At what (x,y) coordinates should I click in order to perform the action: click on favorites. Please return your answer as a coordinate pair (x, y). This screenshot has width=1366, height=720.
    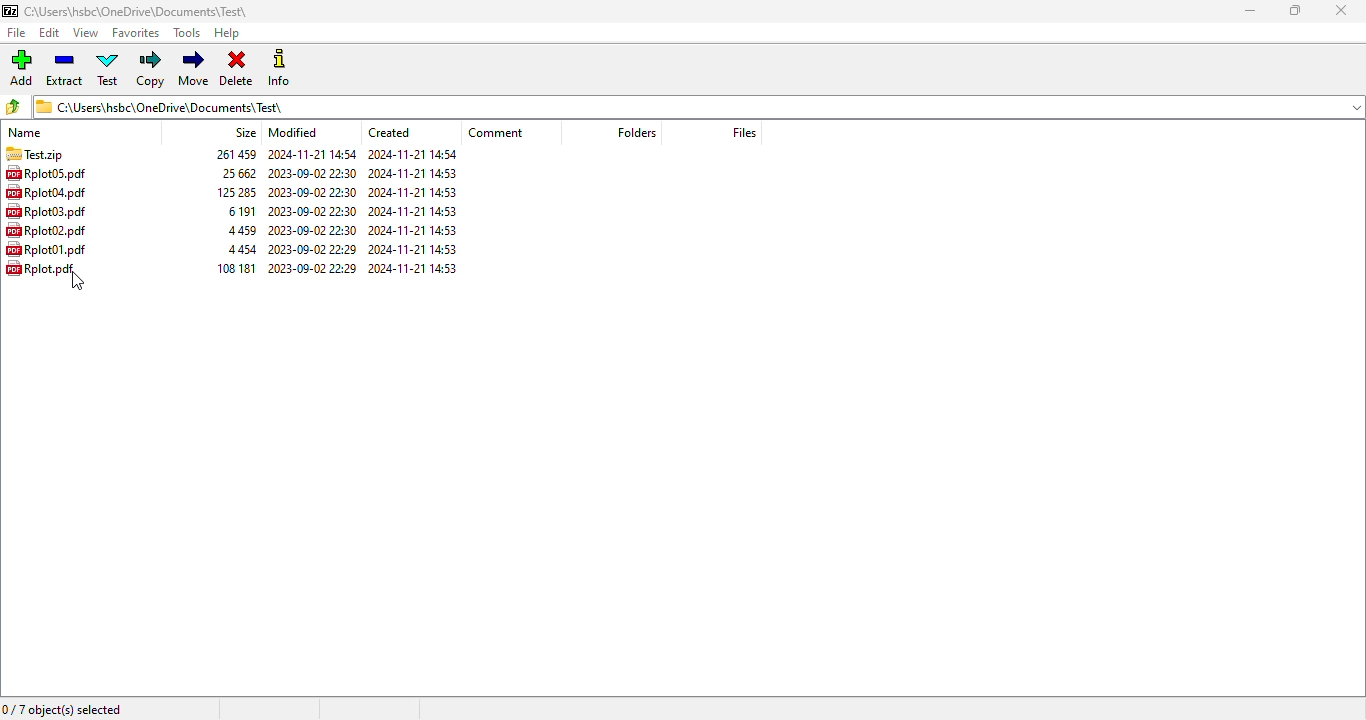
    Looking at the image, I should click on (136, 33).